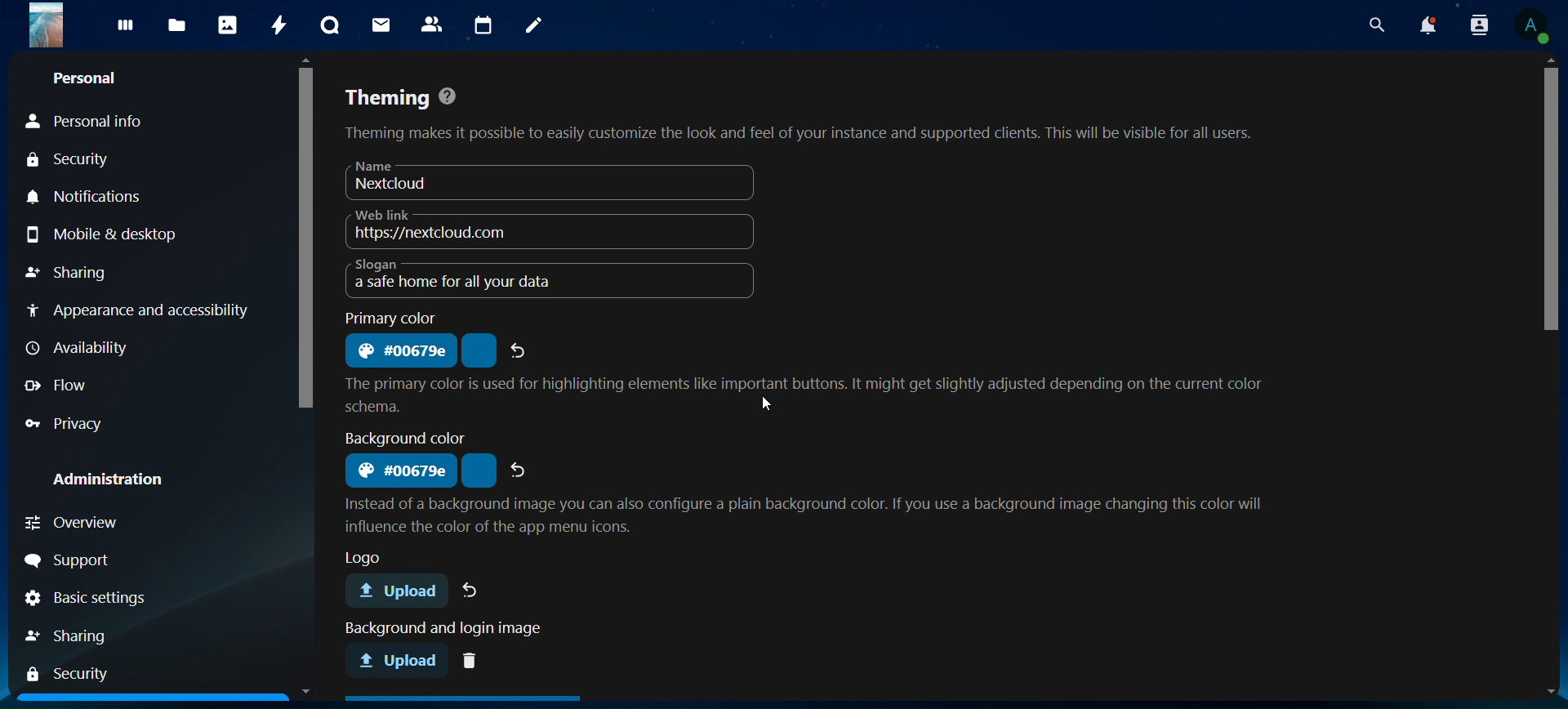  Describe the element at coordinates (401, 353) in the screenshot. I see `primary color` at that location.